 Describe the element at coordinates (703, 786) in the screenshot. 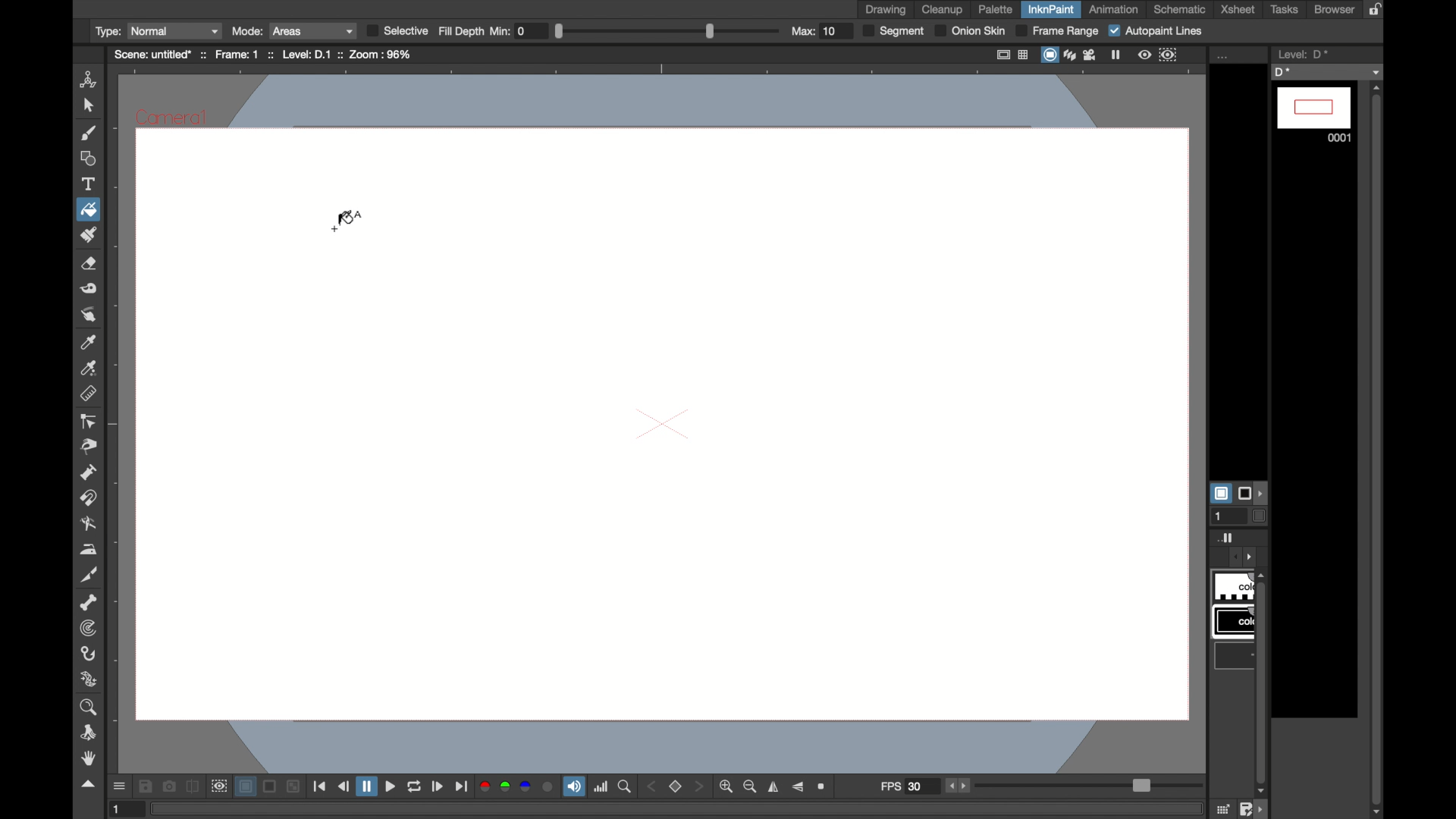

I see `front` at that location.